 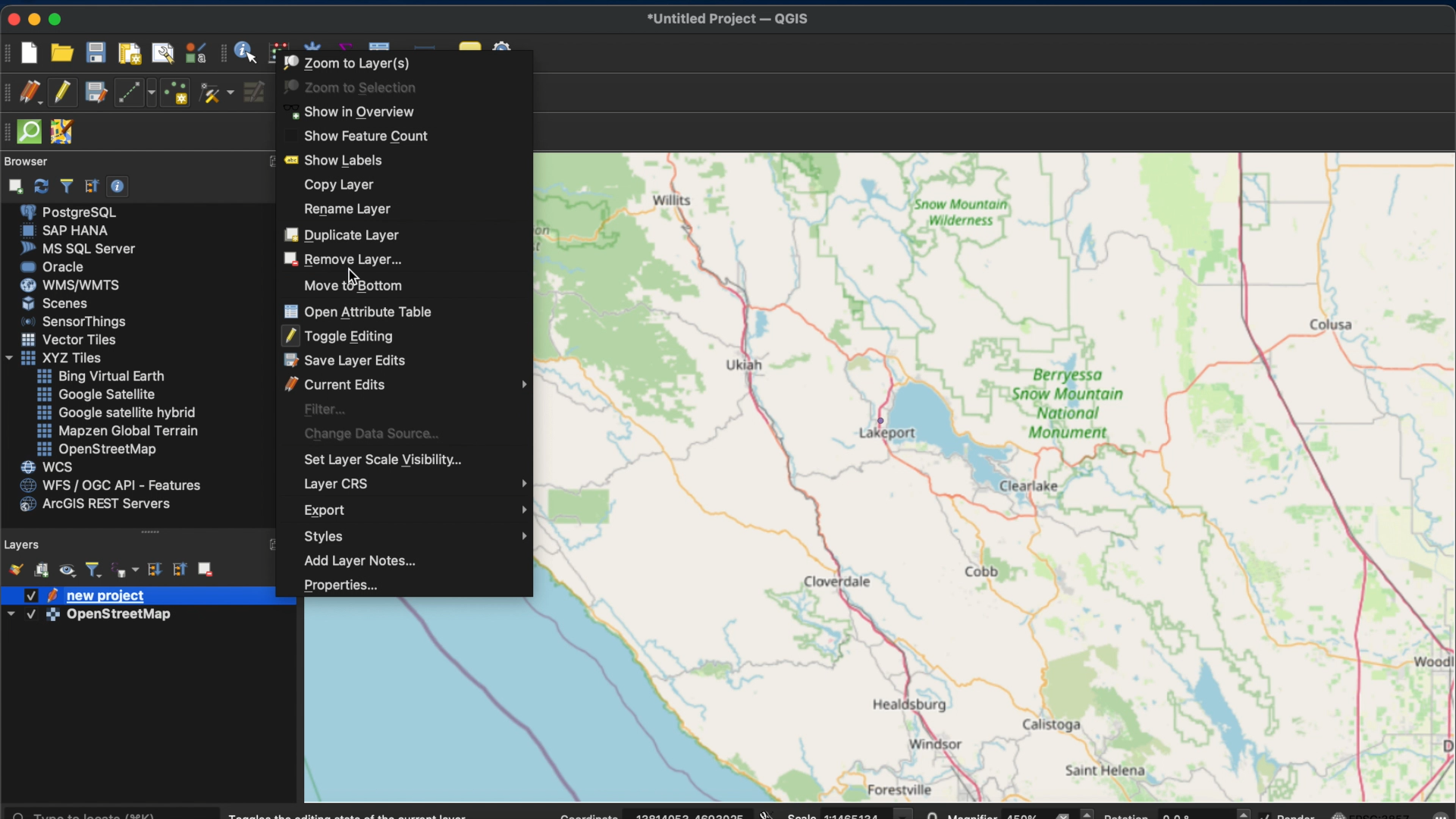 What do you see at coordinates (351, 112) in the screenshot?
I see `show in overview` at bounding box center [351, 112].